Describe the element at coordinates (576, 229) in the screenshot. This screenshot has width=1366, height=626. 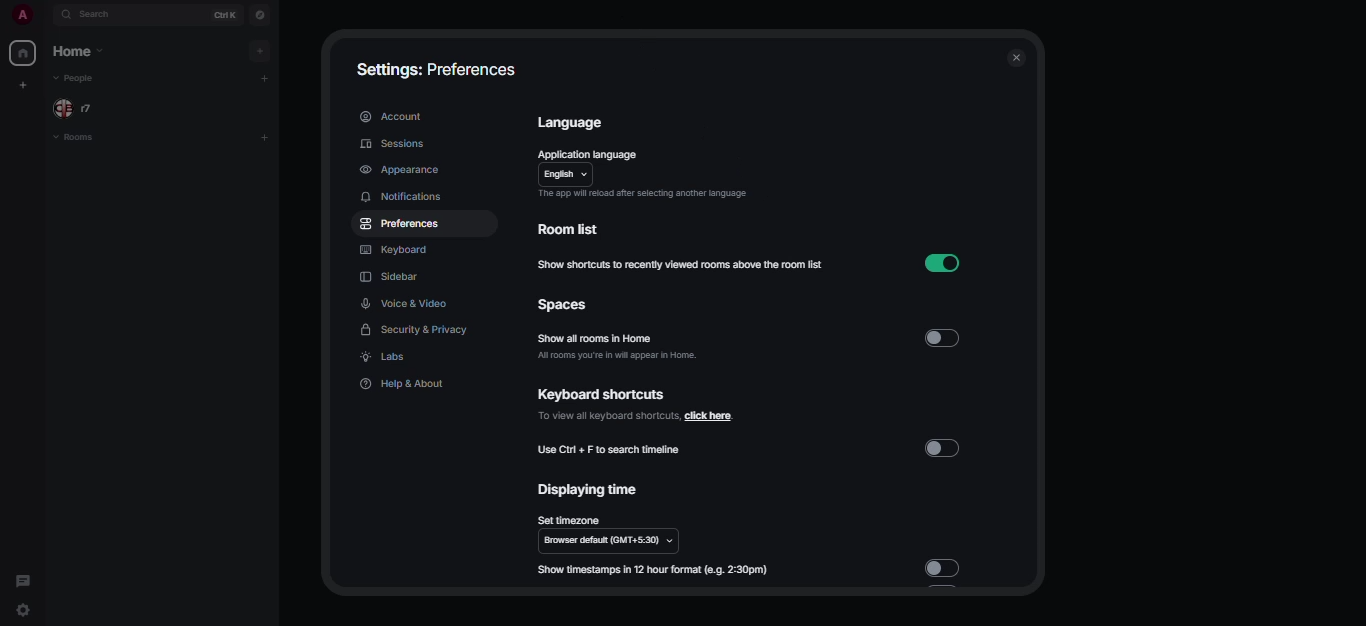
I see `room list` at that location.